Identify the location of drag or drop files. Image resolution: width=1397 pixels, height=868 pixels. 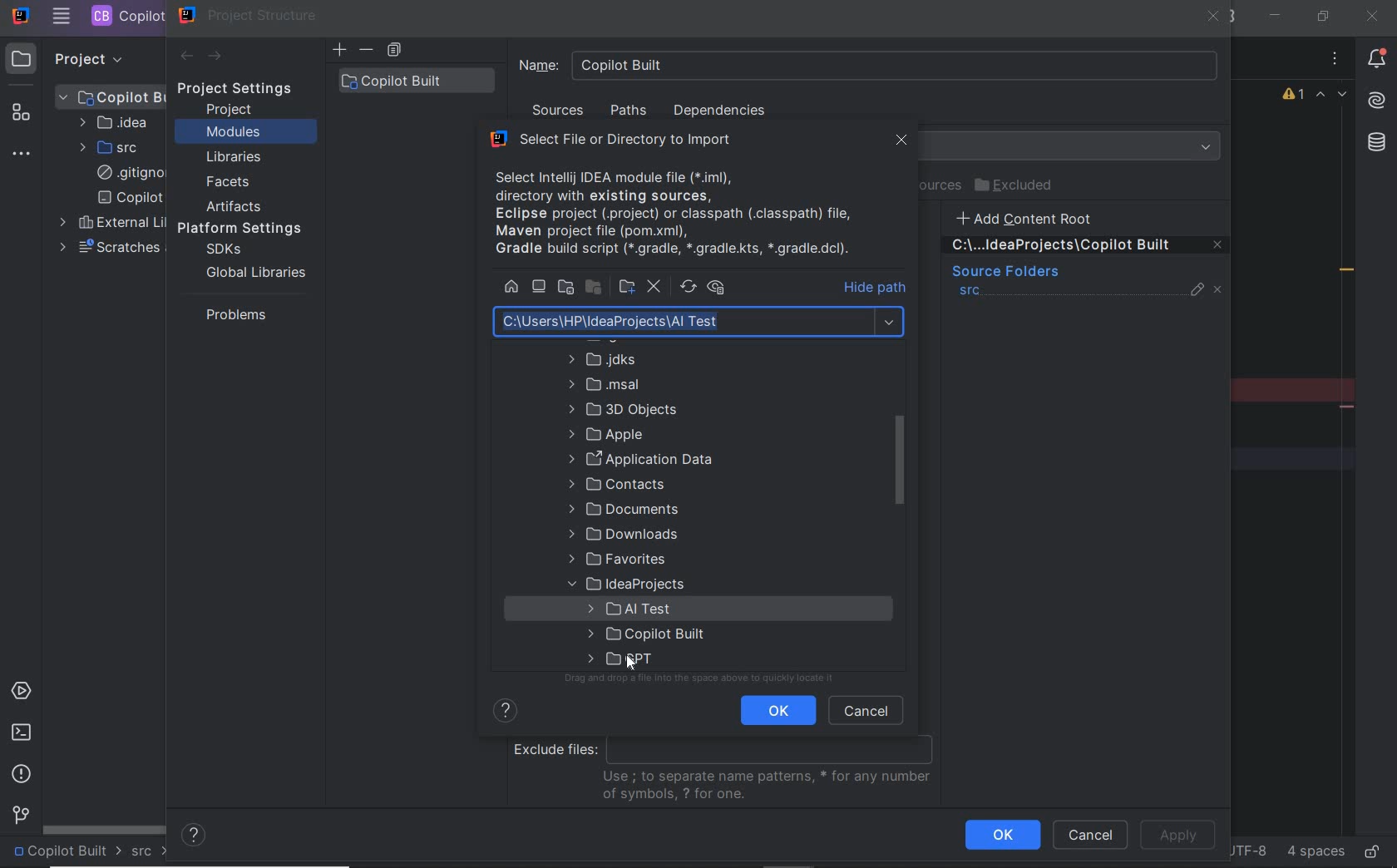
(703, 680).